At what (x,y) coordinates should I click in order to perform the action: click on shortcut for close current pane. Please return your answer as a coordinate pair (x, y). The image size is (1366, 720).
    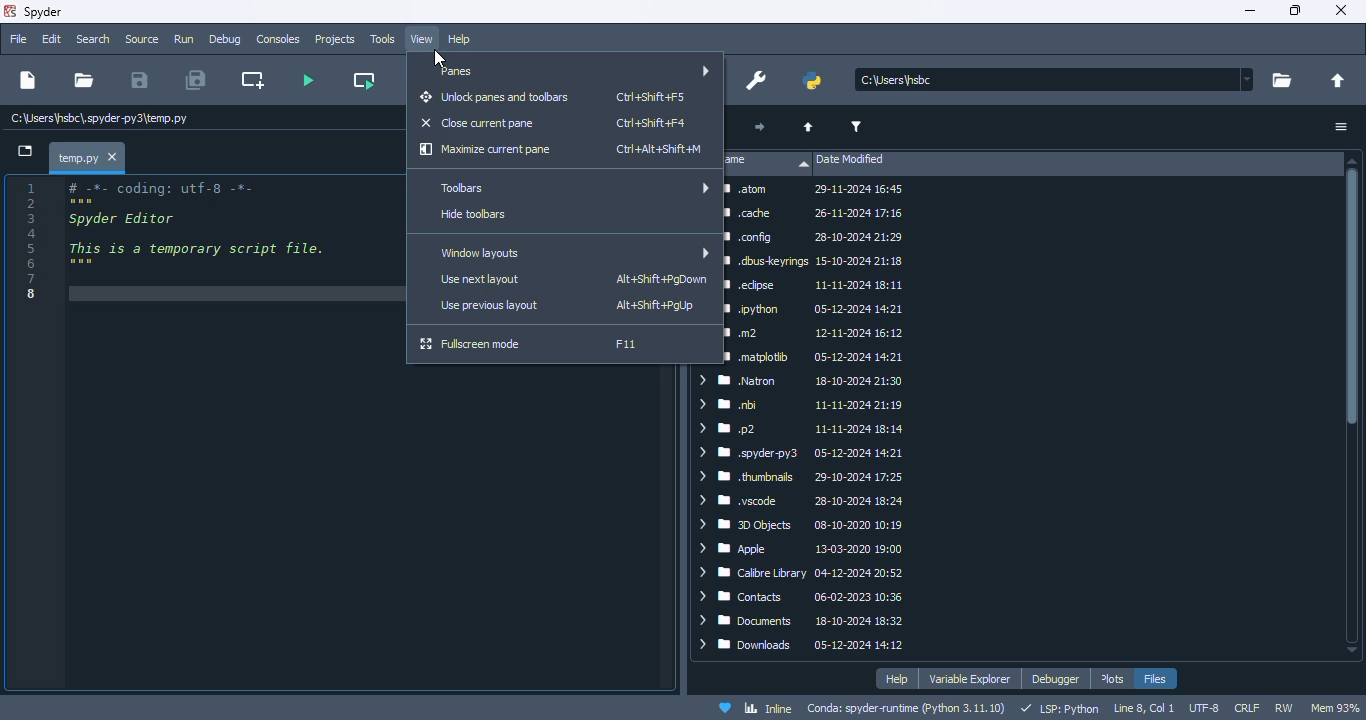
    Looking at the image, I should click on (652, 123).